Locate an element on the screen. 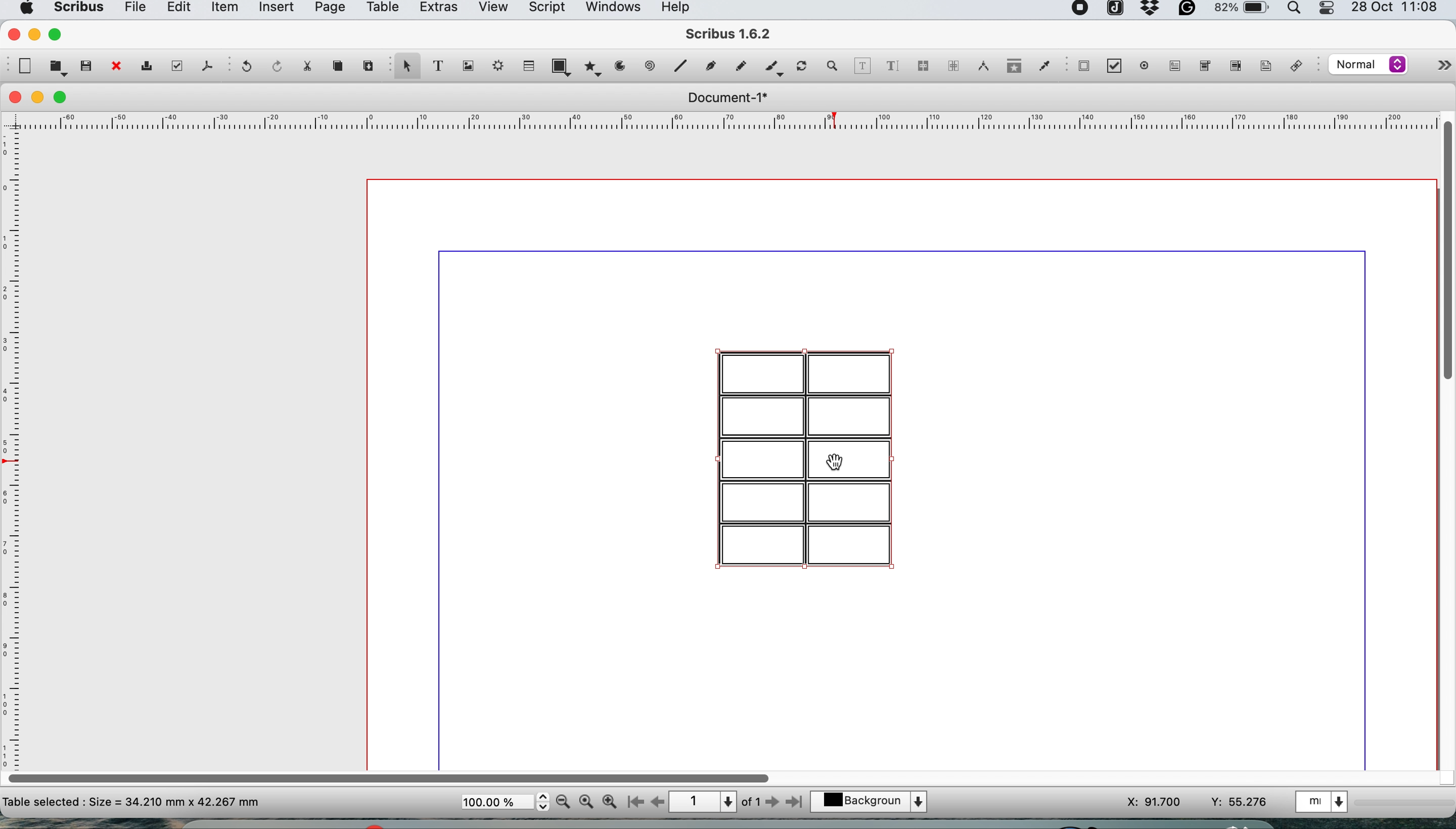 Image resolution: width=1456 pixels, height=829 pixels. select the current unit is located at coordinates (1324, 801).